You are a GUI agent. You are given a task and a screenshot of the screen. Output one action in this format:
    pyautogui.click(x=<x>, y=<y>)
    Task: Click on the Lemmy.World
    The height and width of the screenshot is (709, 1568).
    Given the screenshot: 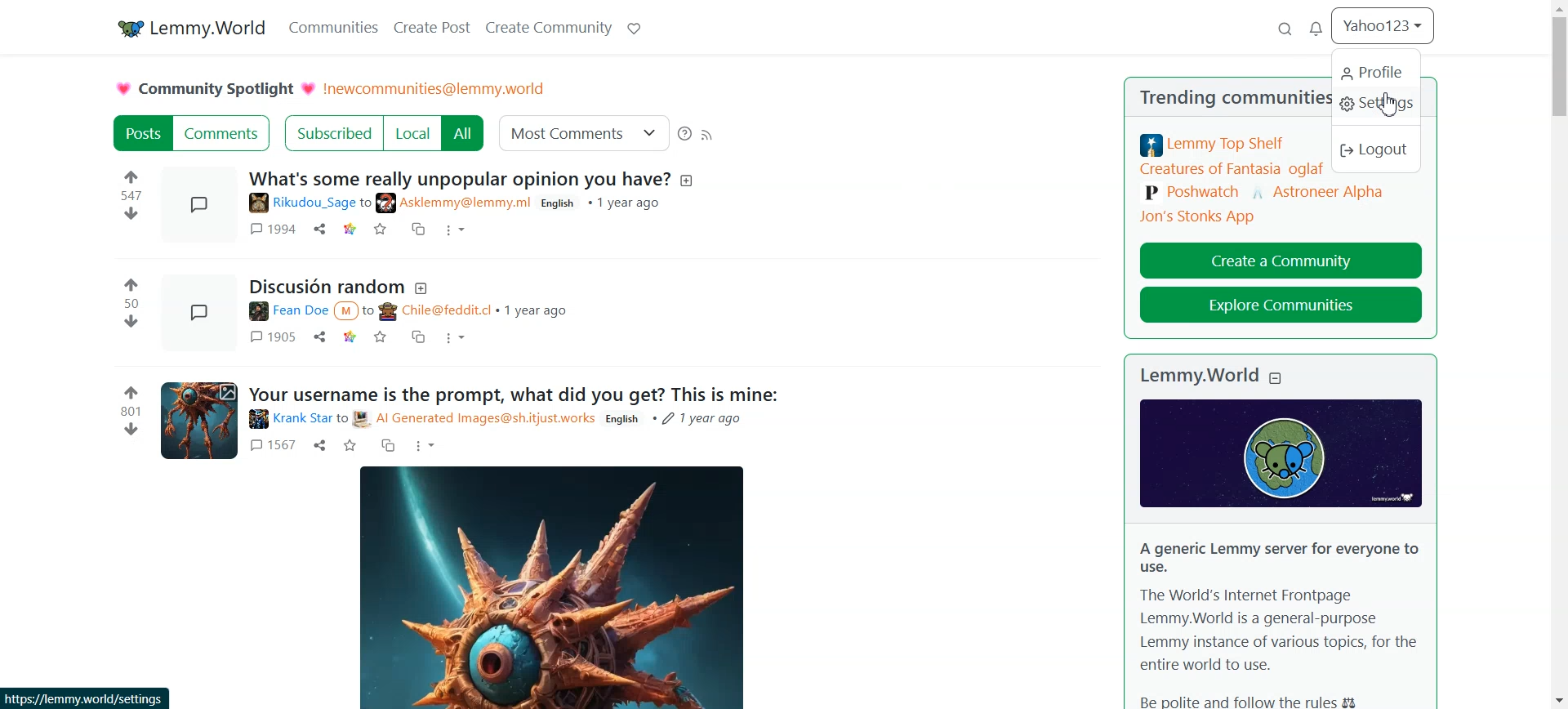 What is the action you would take?
    pyautogui.click(x=1198, y=376)
    